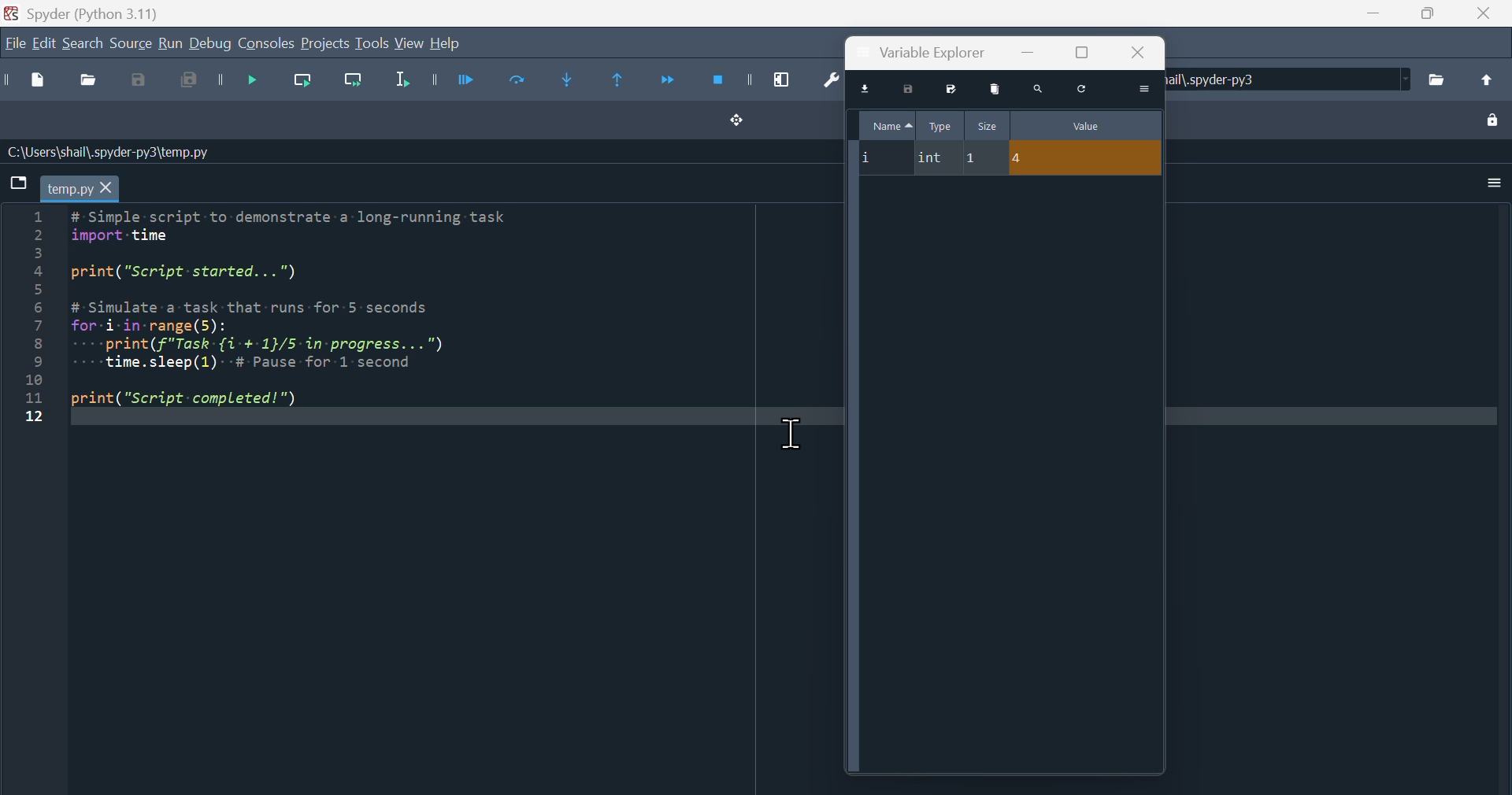 This screenshot has width=1512, height=795. Describe the element at coordinates (939, 124) in the screenshot. I see `Type` at that location.